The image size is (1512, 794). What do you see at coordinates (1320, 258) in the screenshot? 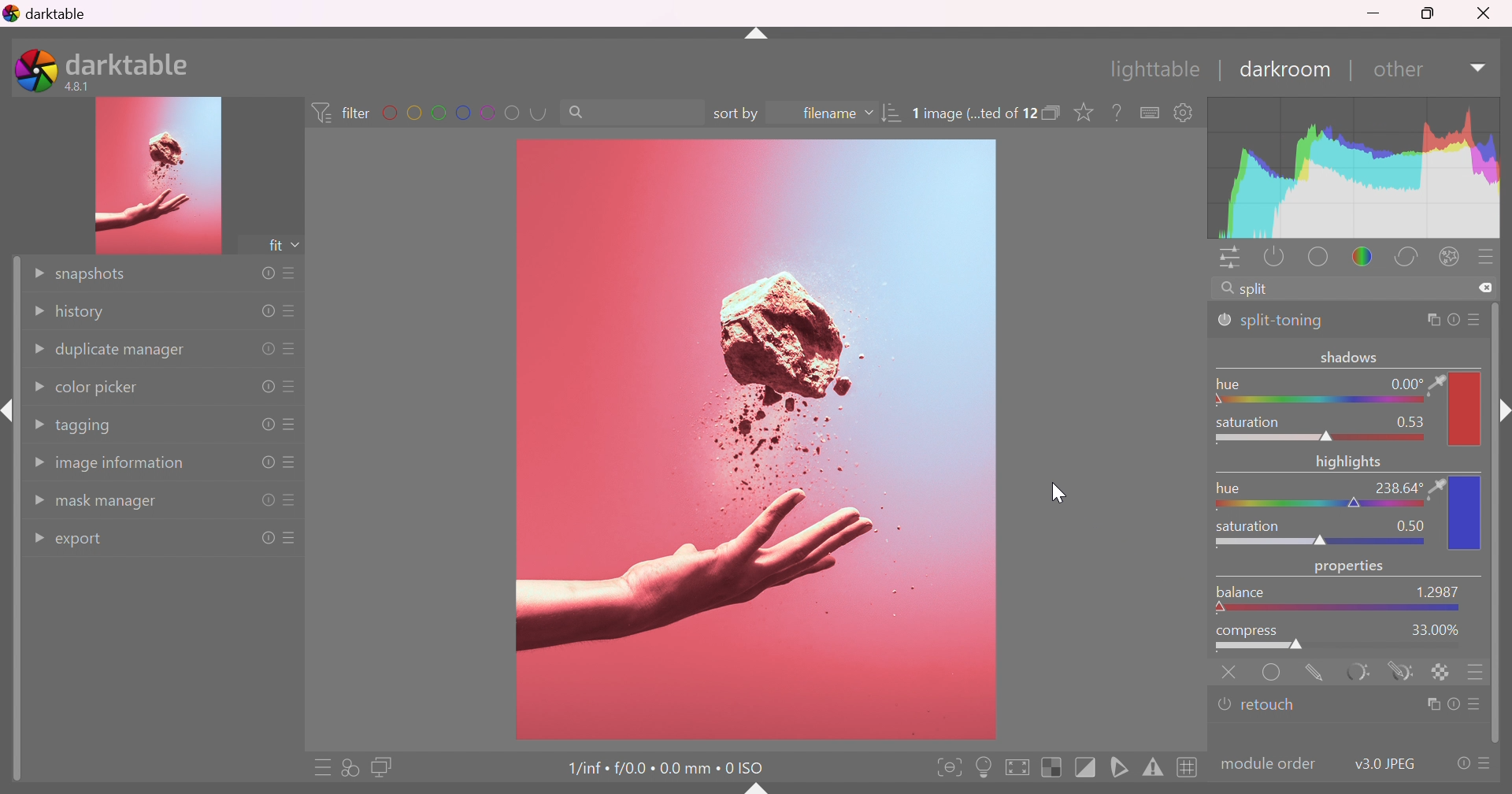
I see `base` at bounding box center [1320, 258].